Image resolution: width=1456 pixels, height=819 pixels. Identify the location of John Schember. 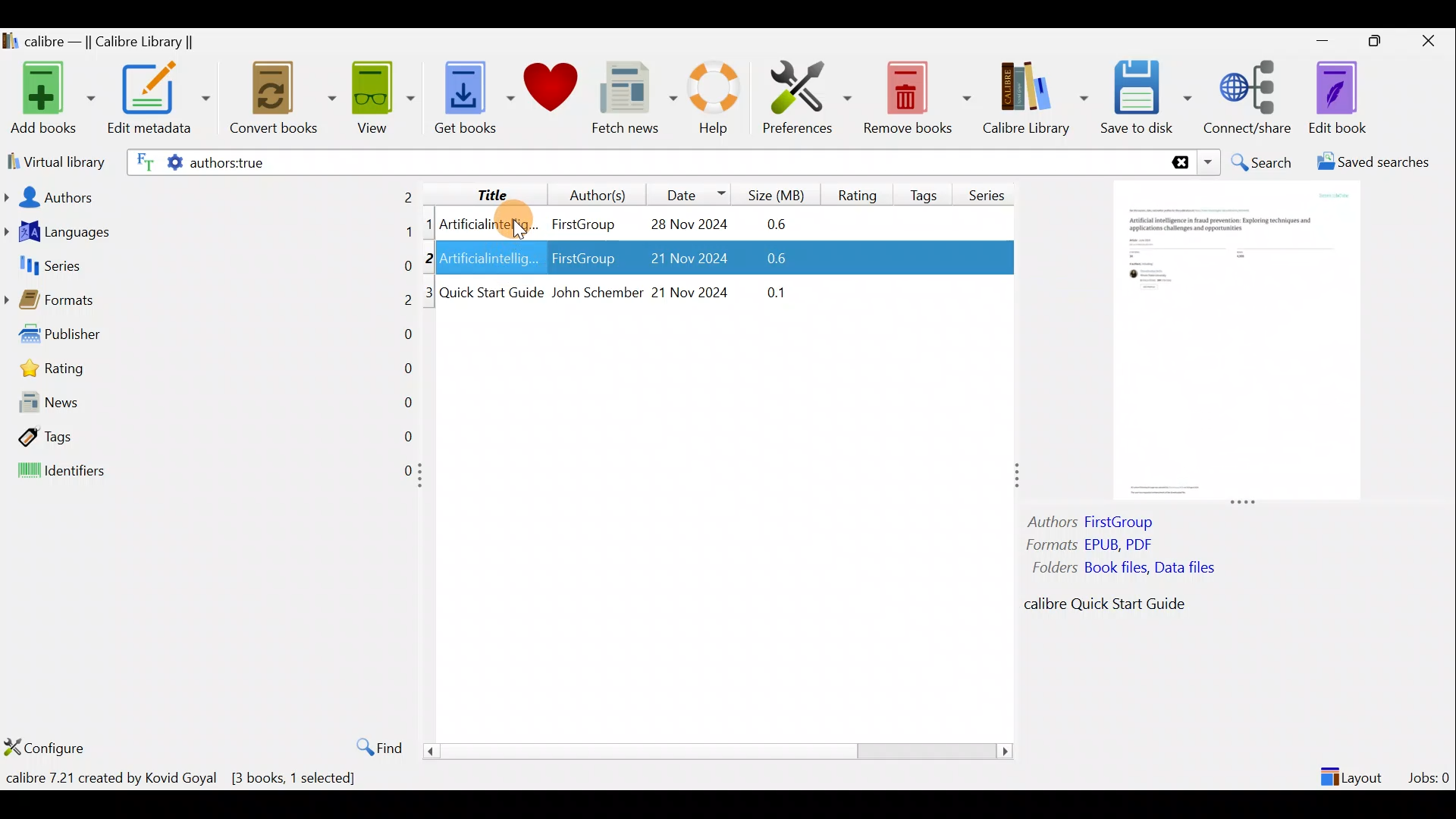
(596, 293).